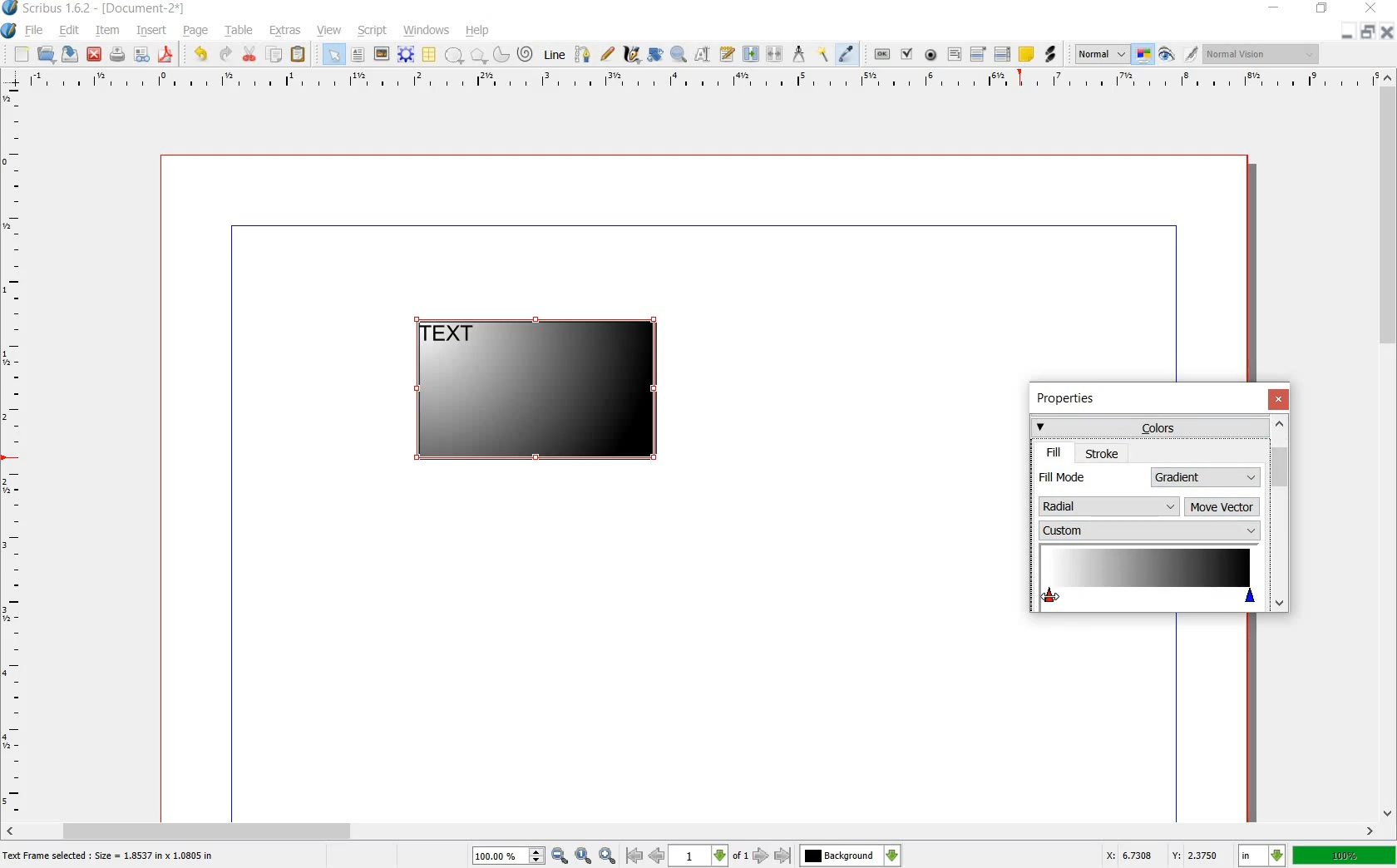  I want to click on cursor, so click(1054, 596).